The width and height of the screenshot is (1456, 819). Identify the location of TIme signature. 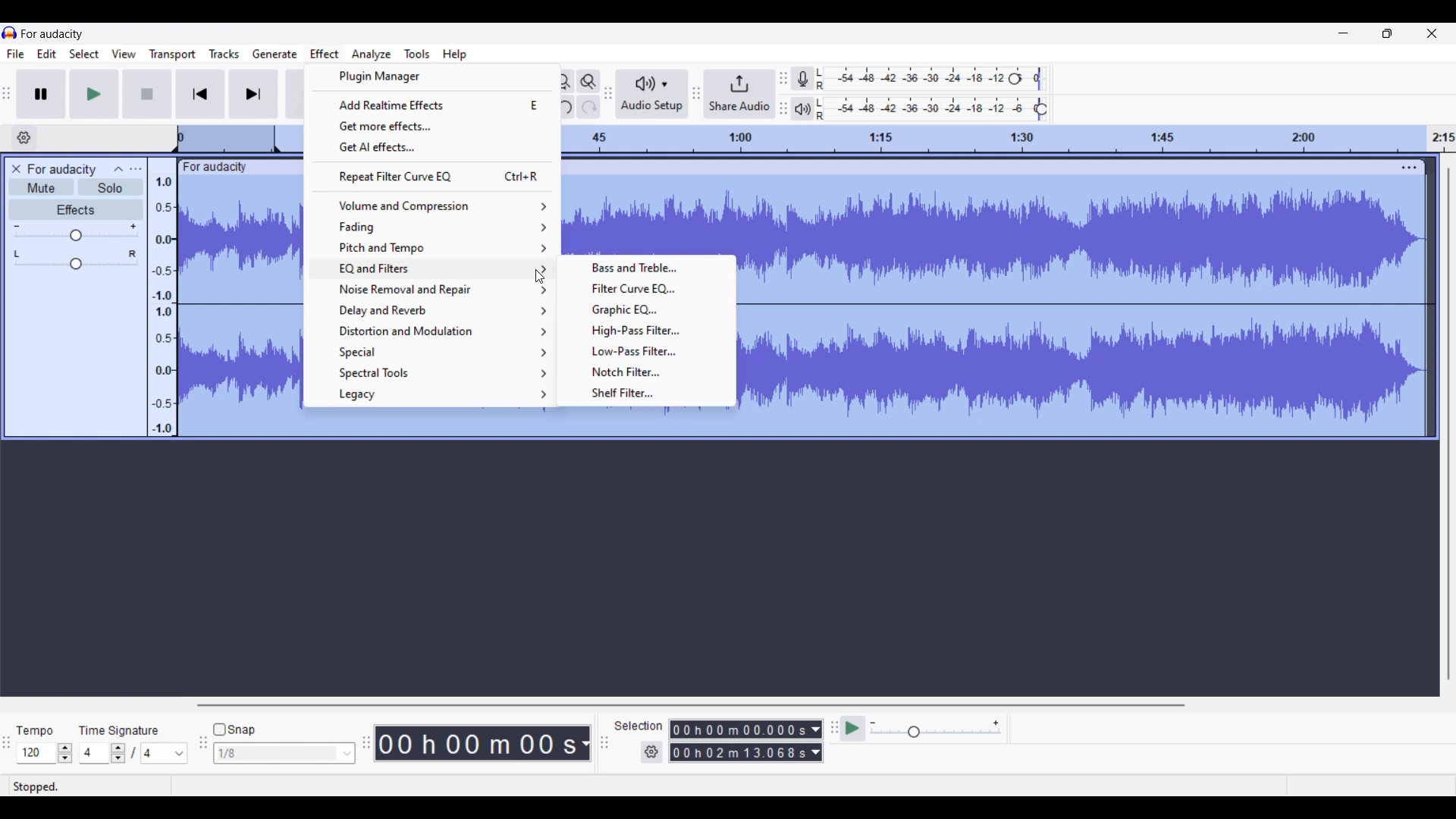
(120, 729).